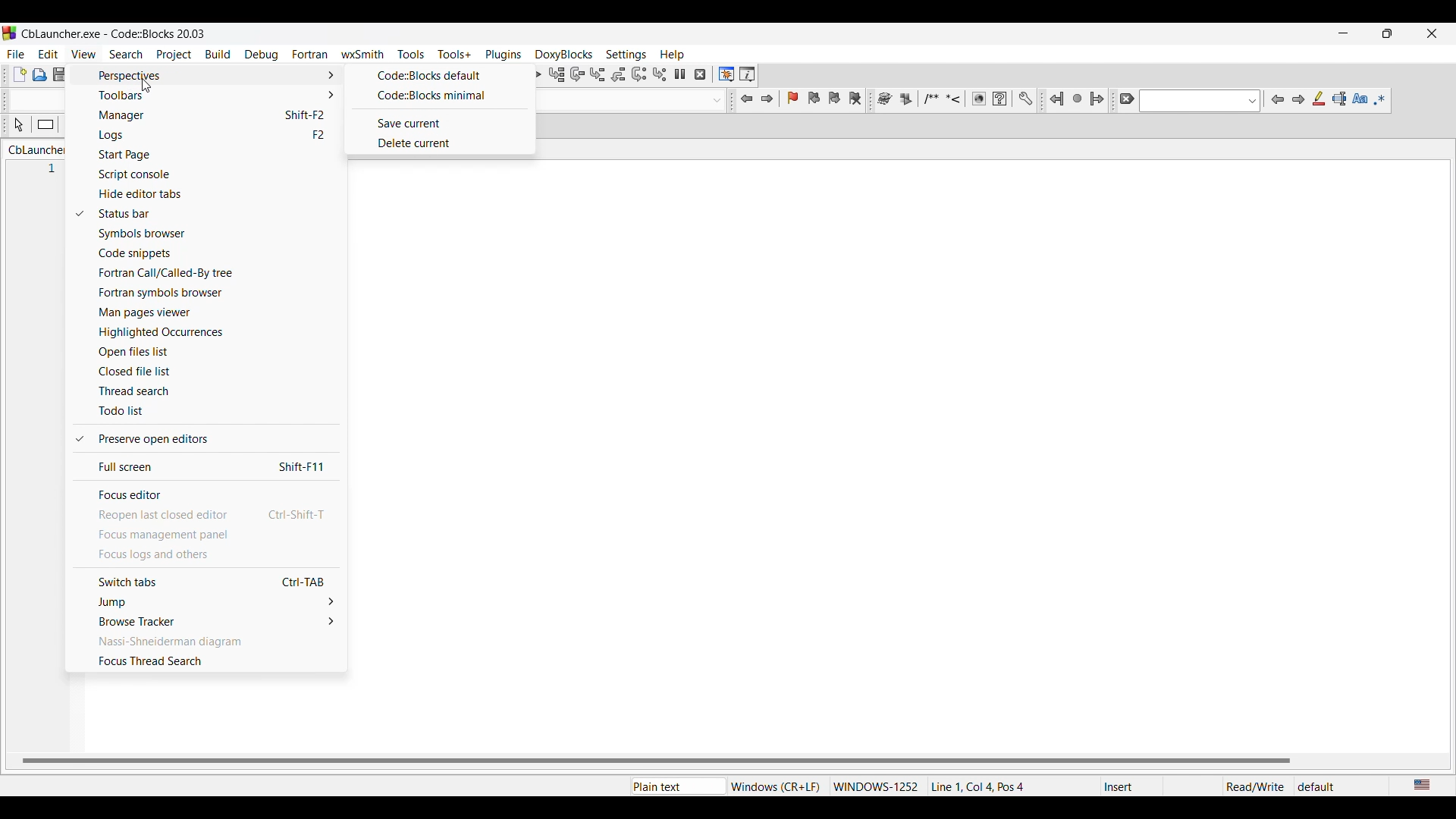 This screenshot has width=1456, height=819. What do you see at coordinates (1339, 99) in the screenshot?
I see `Selected text` at bounding box center [1339, 99].